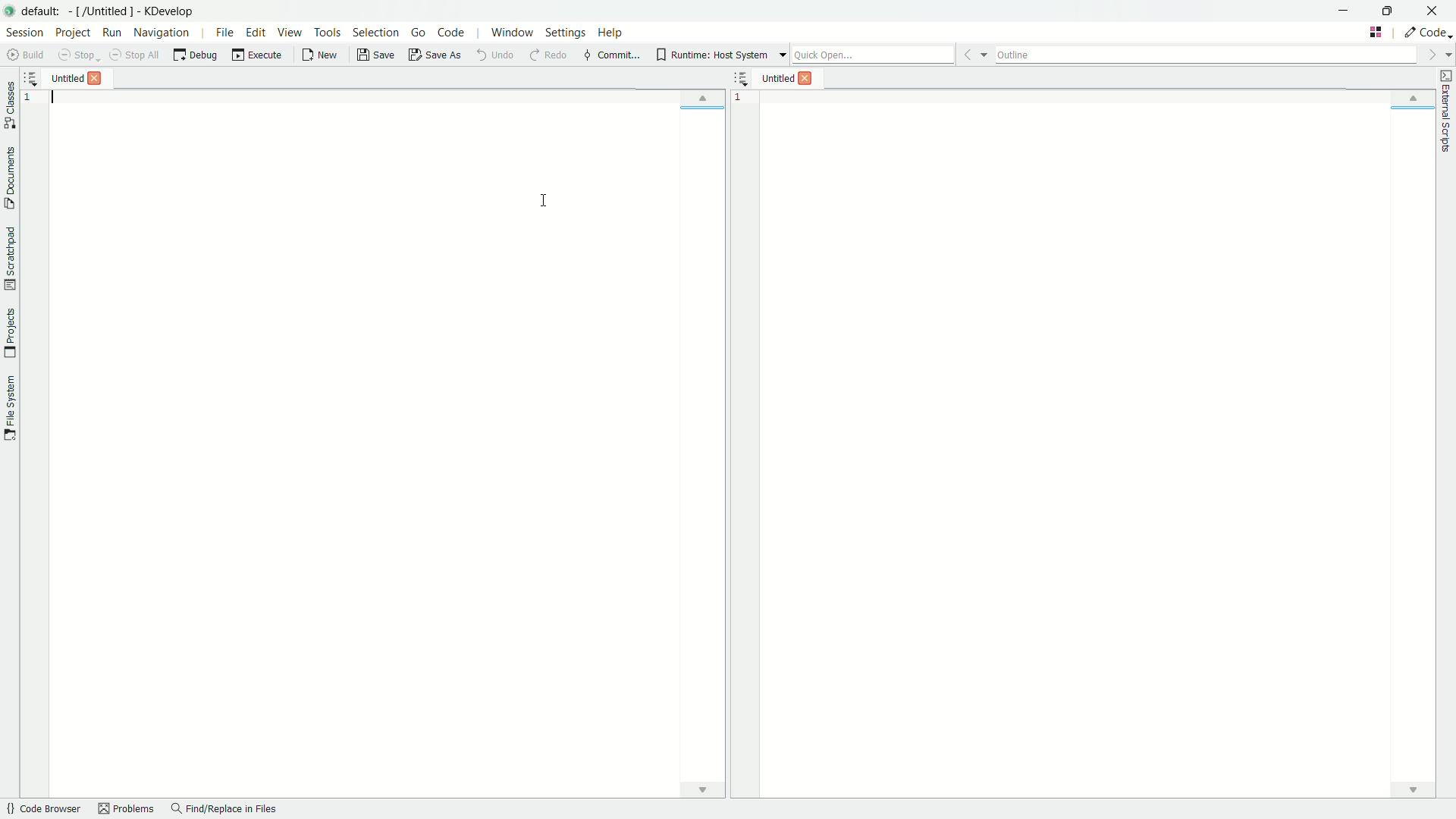 This screenshot has height=819, width=1456. What do you see at coordinates (1436, 11) in the screenshot?
I see `close app` at bounding box center [1436, 11].